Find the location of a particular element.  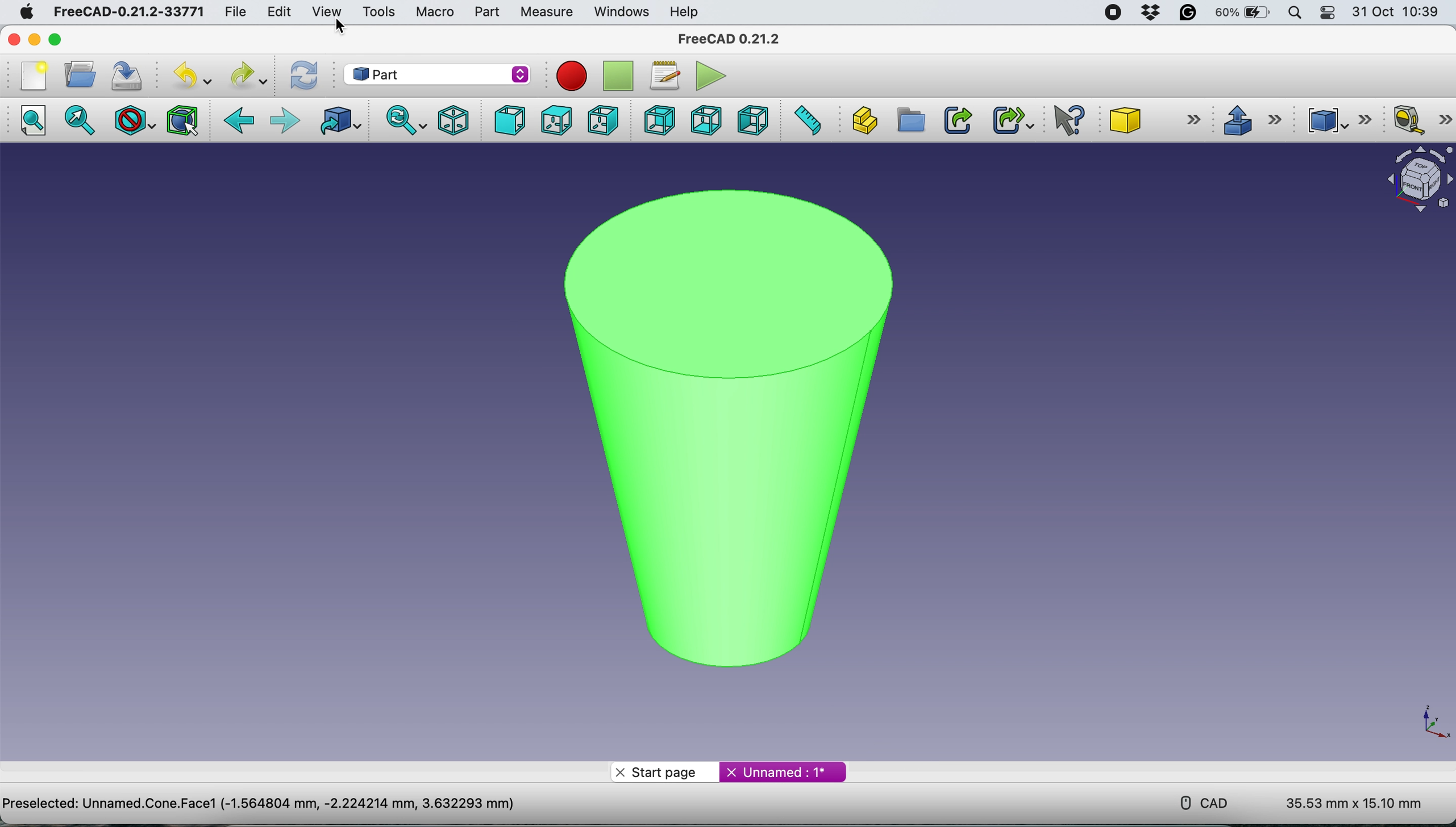

step recording macros is located at coordinates (618, 77).